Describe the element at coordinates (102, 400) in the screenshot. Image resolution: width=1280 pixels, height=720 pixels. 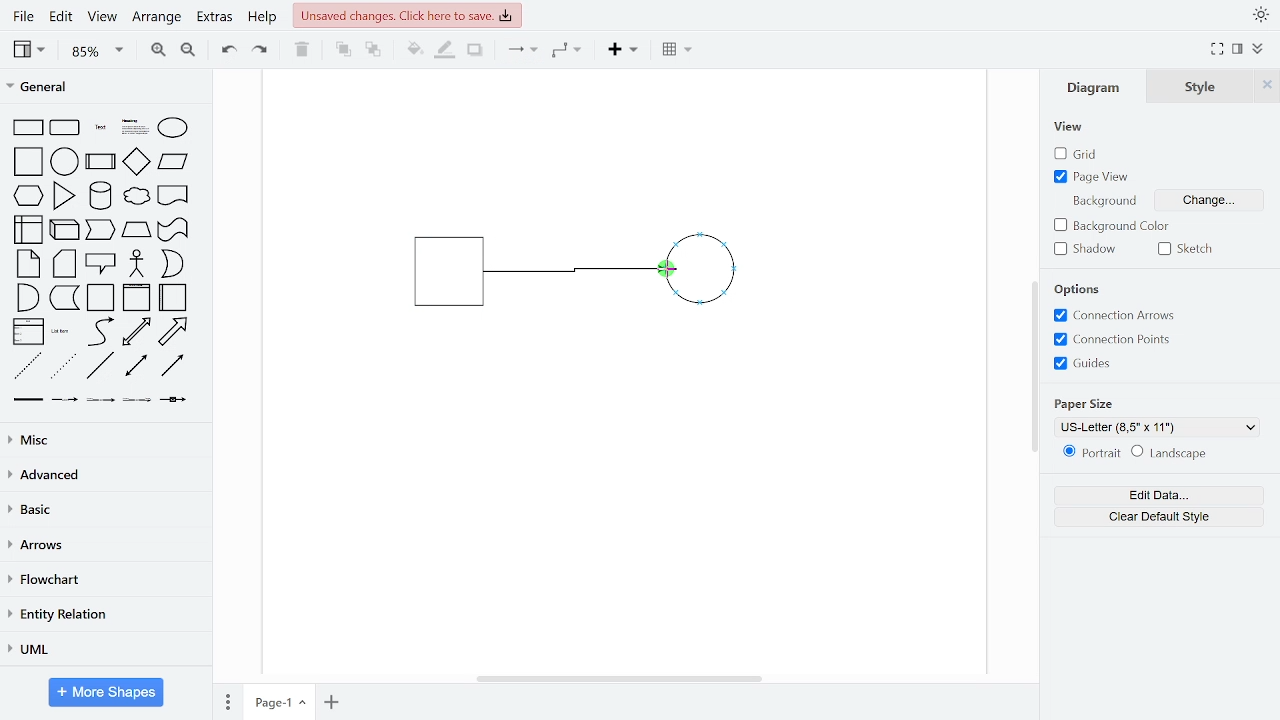
I see `connector  with 2 labels` at that location.